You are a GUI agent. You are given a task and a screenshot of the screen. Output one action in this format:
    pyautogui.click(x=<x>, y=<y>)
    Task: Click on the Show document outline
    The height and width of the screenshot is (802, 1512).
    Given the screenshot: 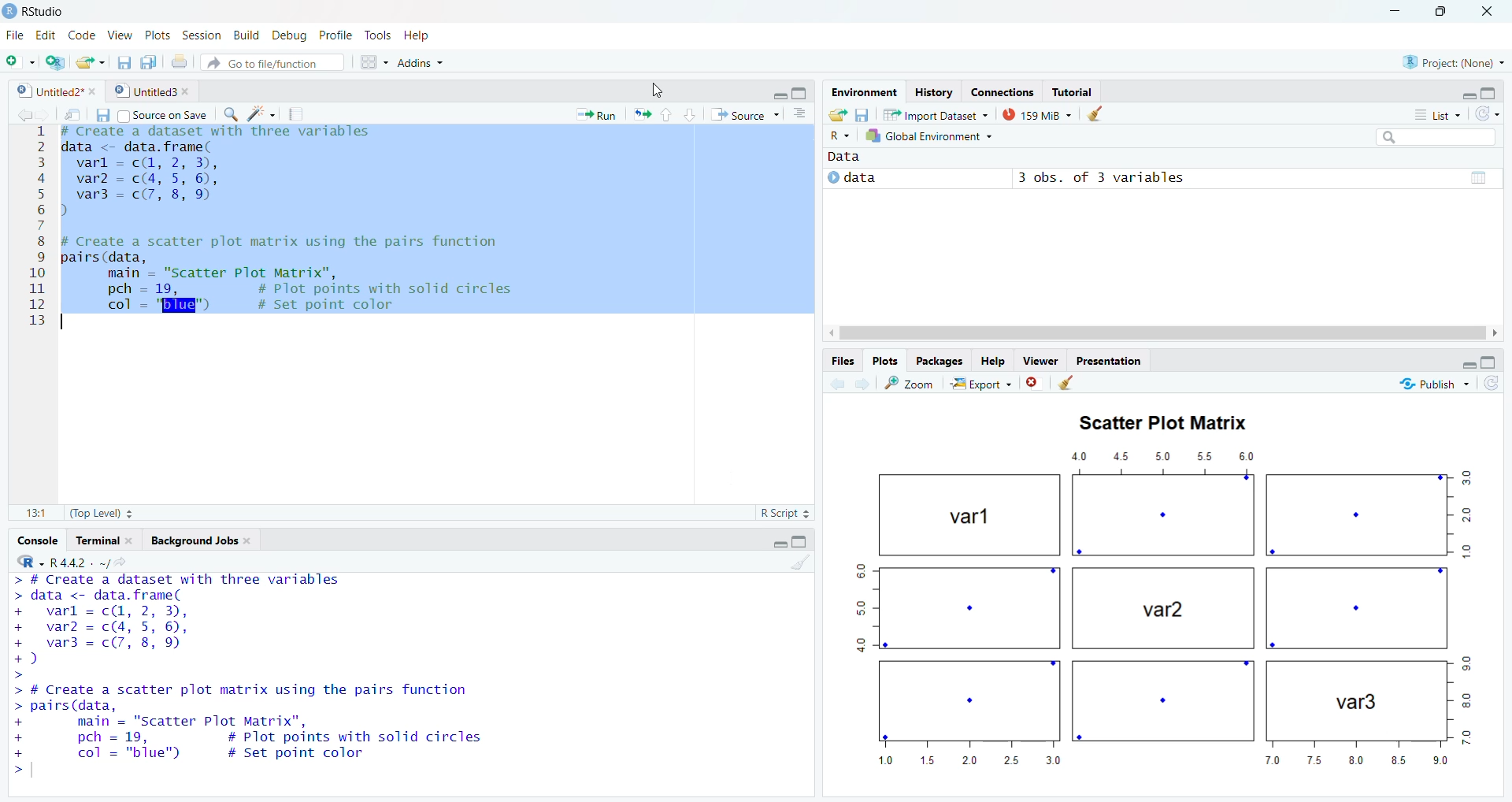 What is the action you would take?
    pyautogui.click(x=803, y=113)
    